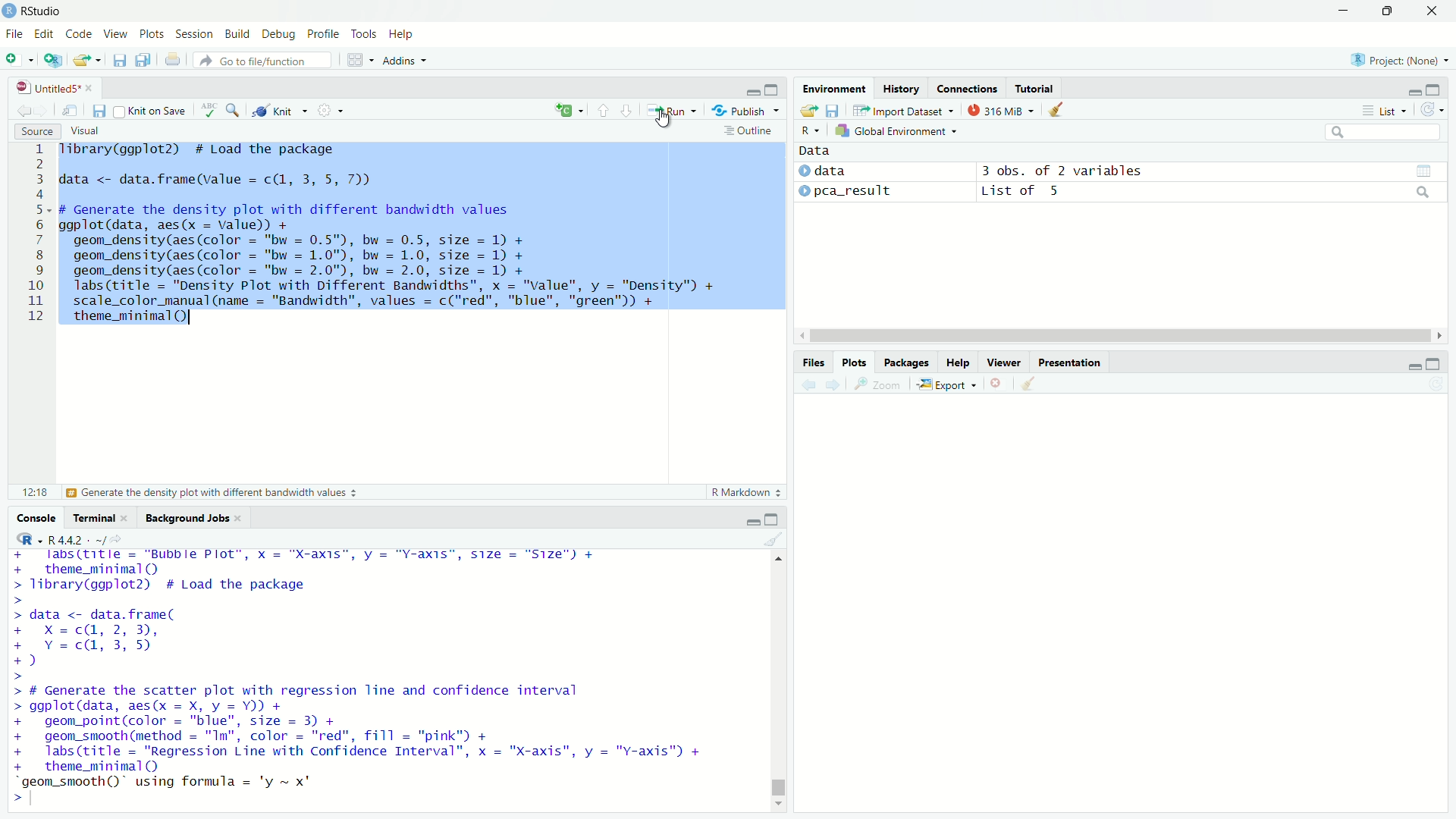 The height and width of the screenshot is (819, 1456). I want to click on Plots, so click(853, 362).